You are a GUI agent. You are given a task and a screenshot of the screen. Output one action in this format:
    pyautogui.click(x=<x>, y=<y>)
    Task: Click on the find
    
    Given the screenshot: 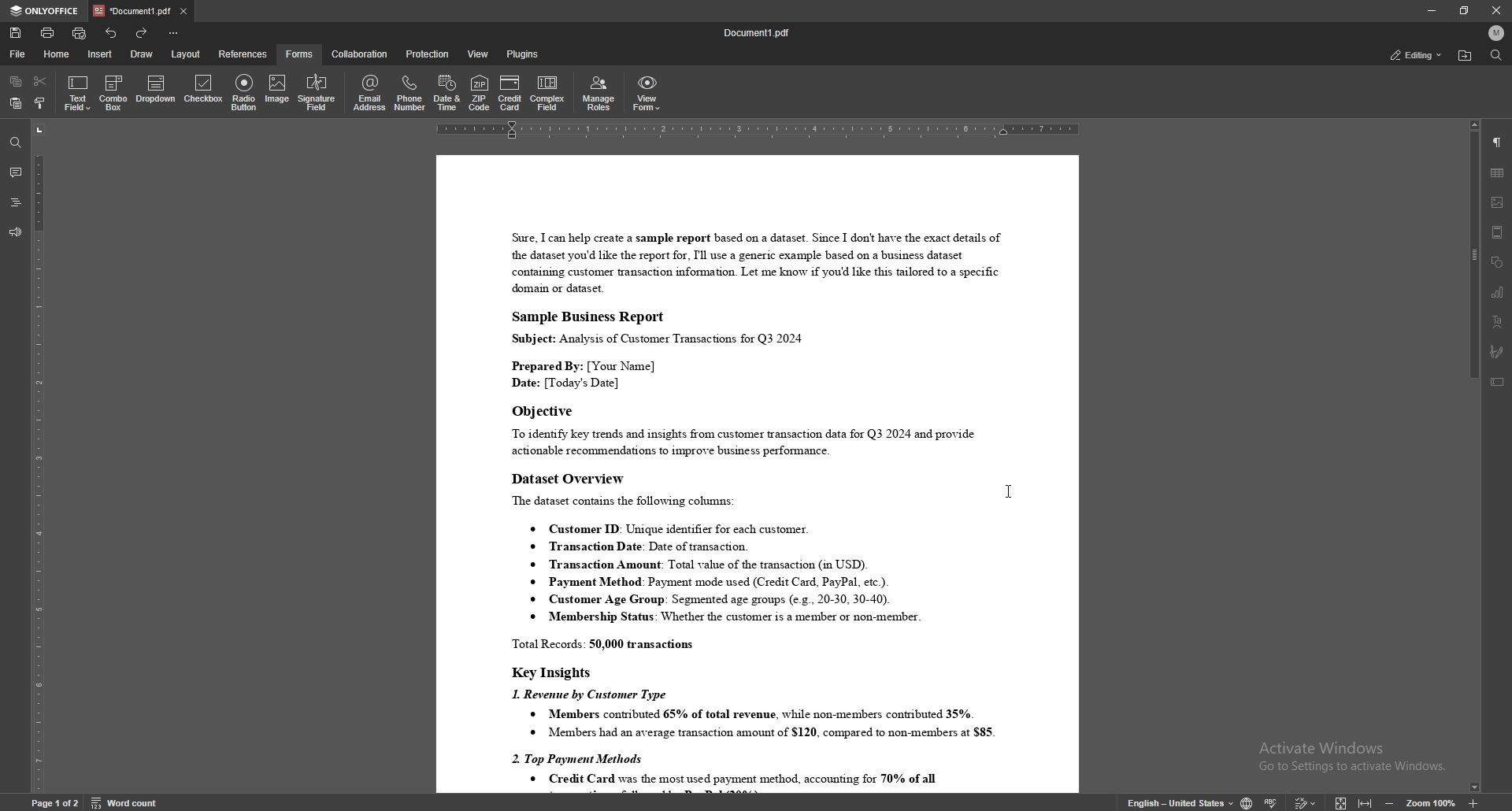 What is the action you would take?
    pyautogui.click(x=16, y=143)
    